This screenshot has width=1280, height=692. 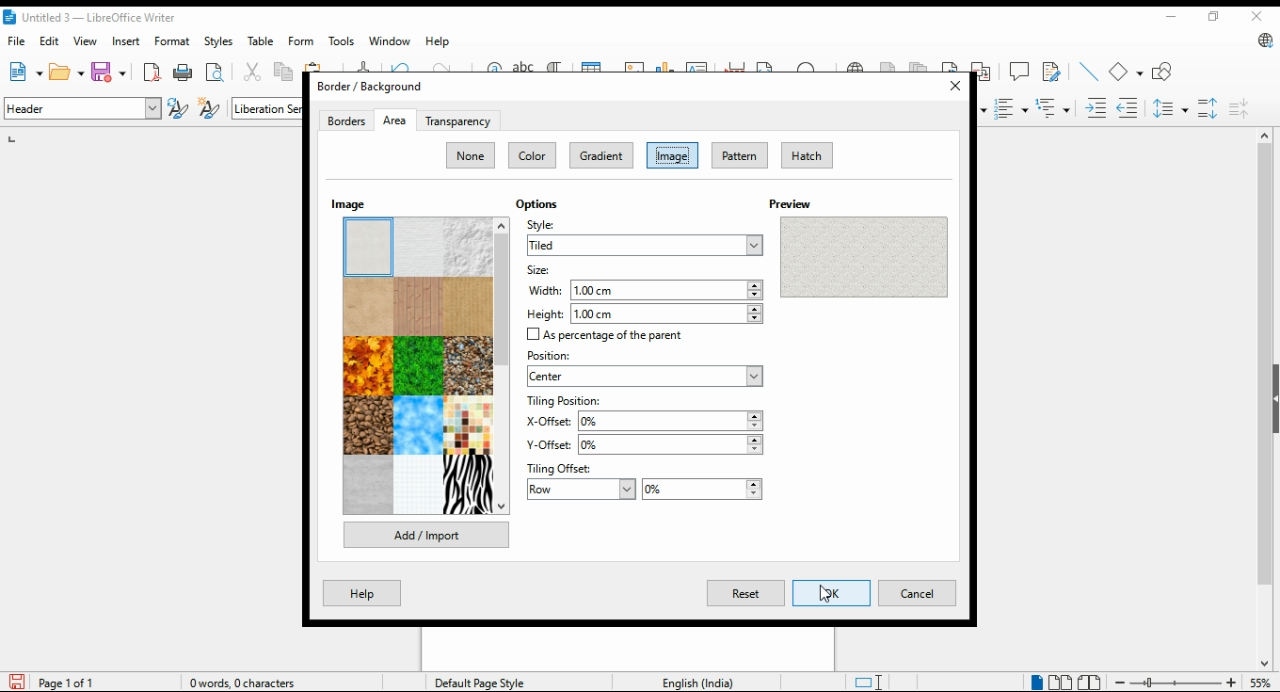 I want to click on pattern, so click(x=739, y=155).